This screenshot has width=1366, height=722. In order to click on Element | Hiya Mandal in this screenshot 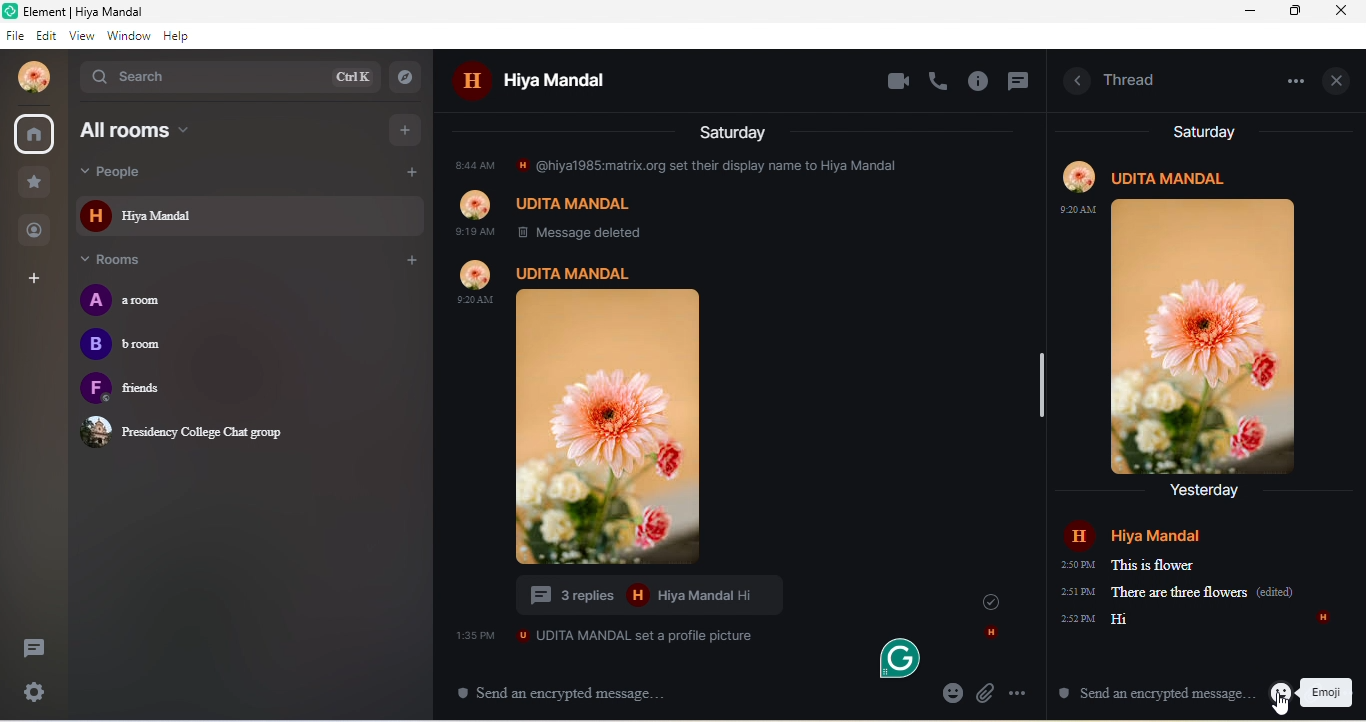, I will do `click(83, 11)`.